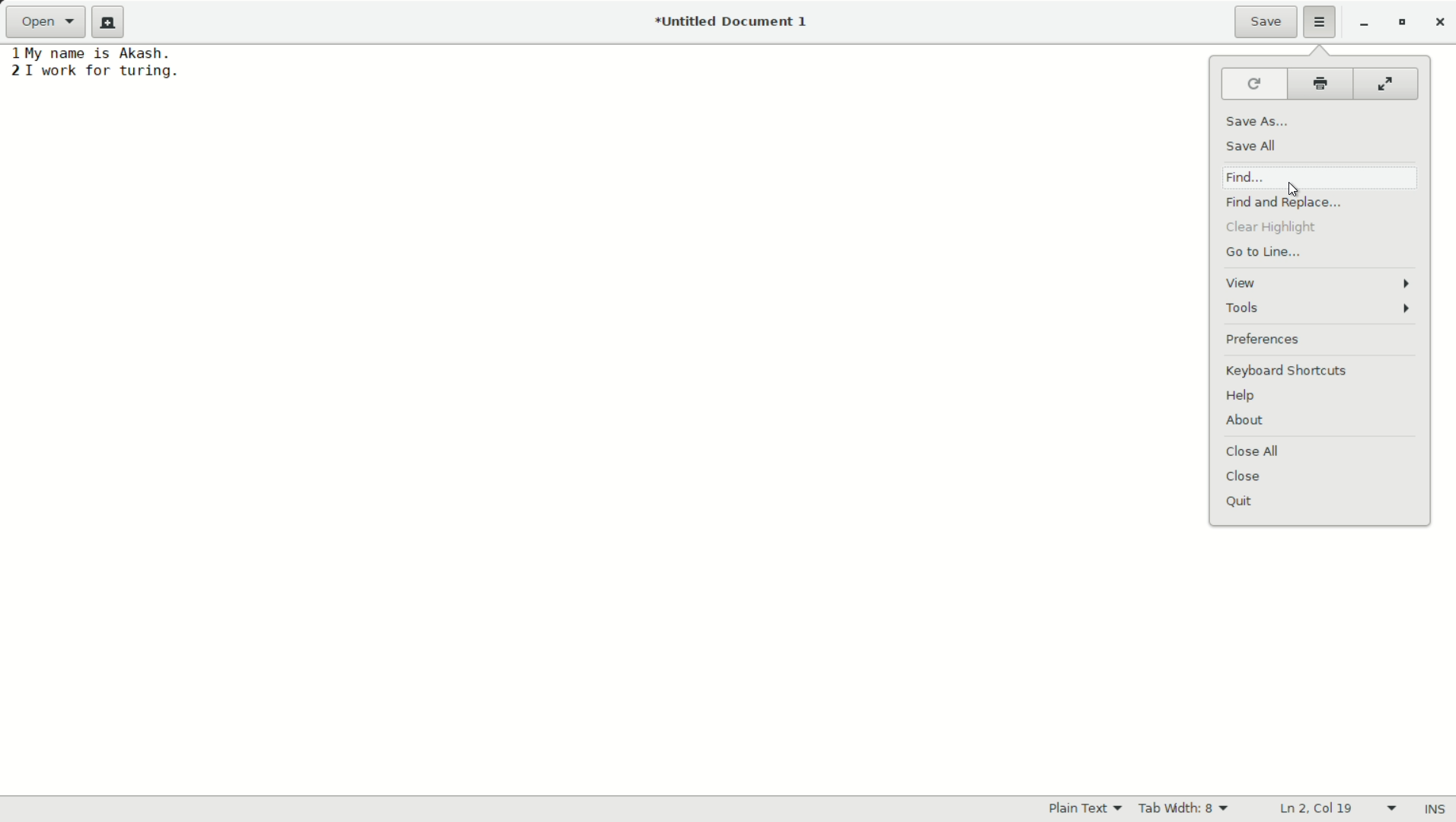 The height and width of the screenshot is (822, 1456). I want to click on print, so click(1321, 86).